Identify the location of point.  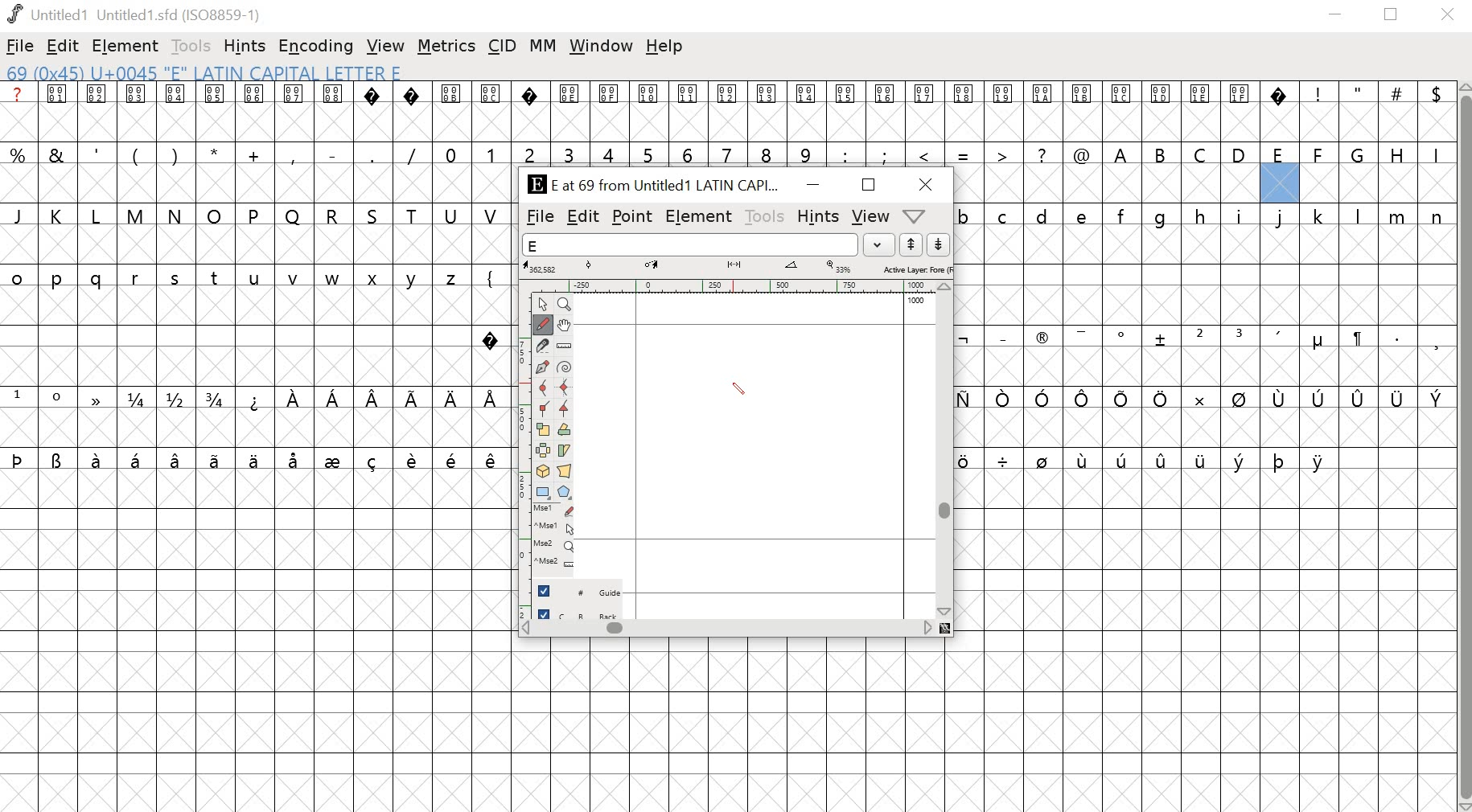
(632, 217).